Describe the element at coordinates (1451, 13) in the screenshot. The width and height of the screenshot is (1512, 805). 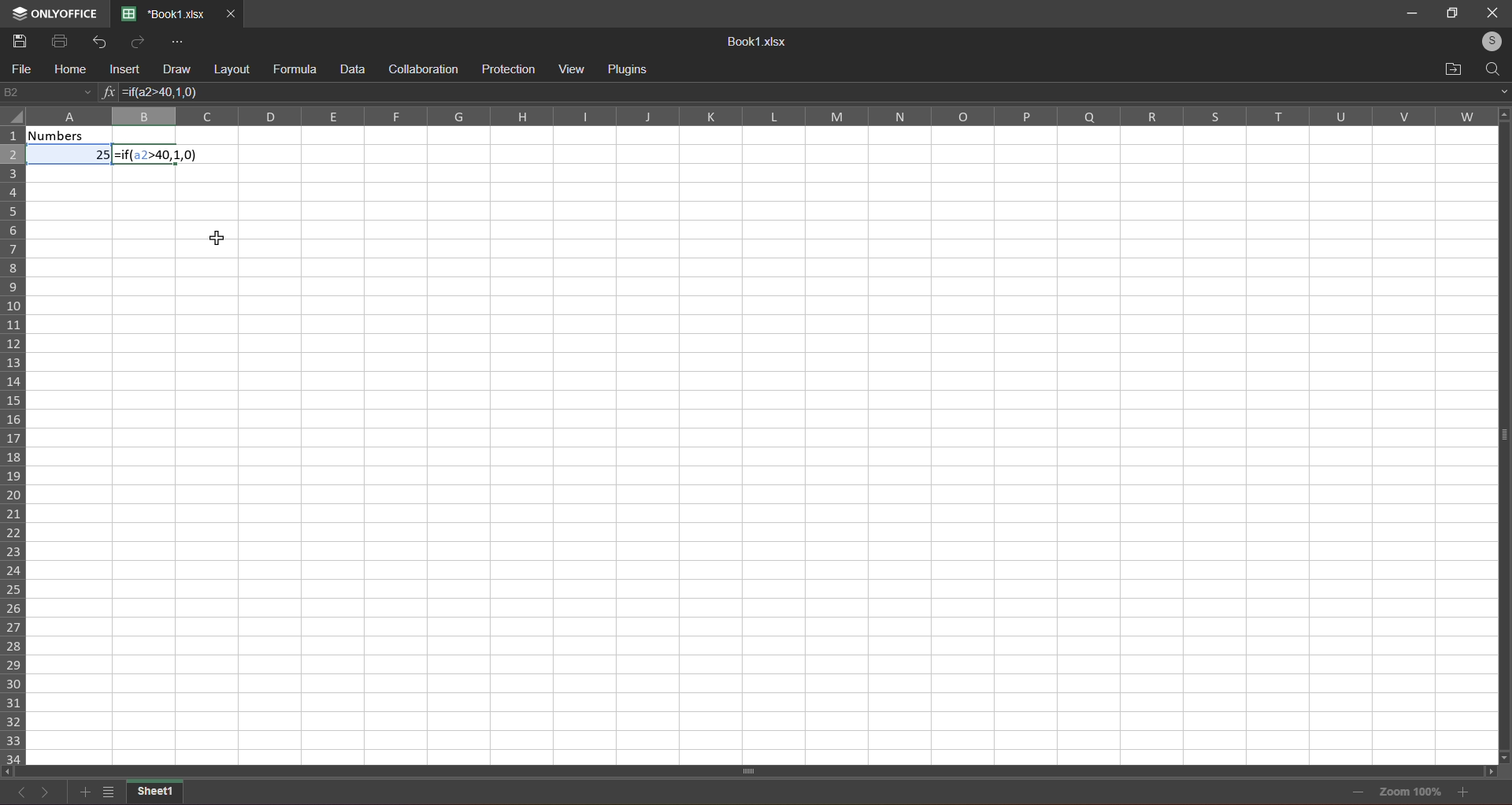
I see `maximize` at that location.